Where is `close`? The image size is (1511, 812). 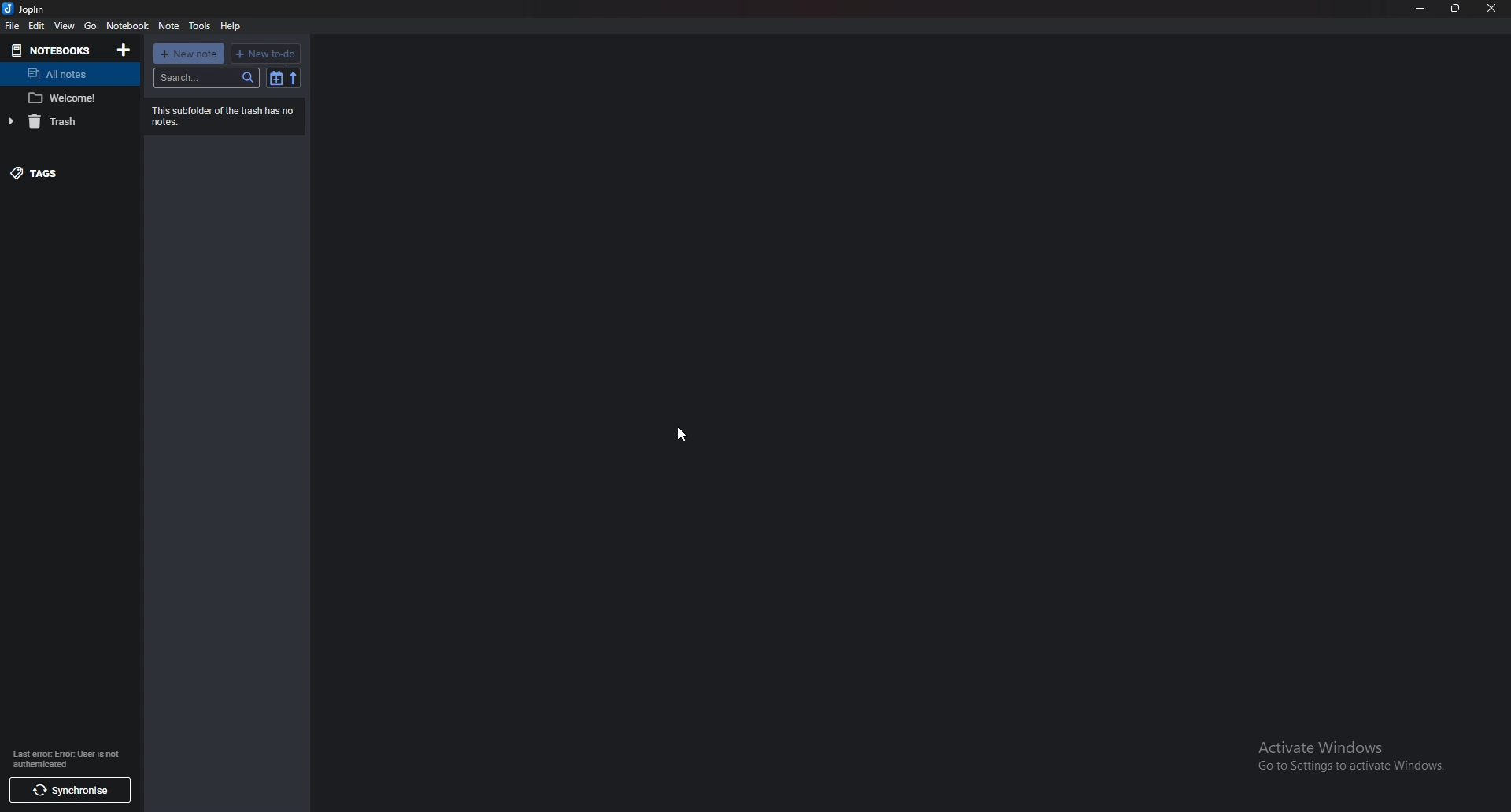
close is located at coordinates (1492, 7).